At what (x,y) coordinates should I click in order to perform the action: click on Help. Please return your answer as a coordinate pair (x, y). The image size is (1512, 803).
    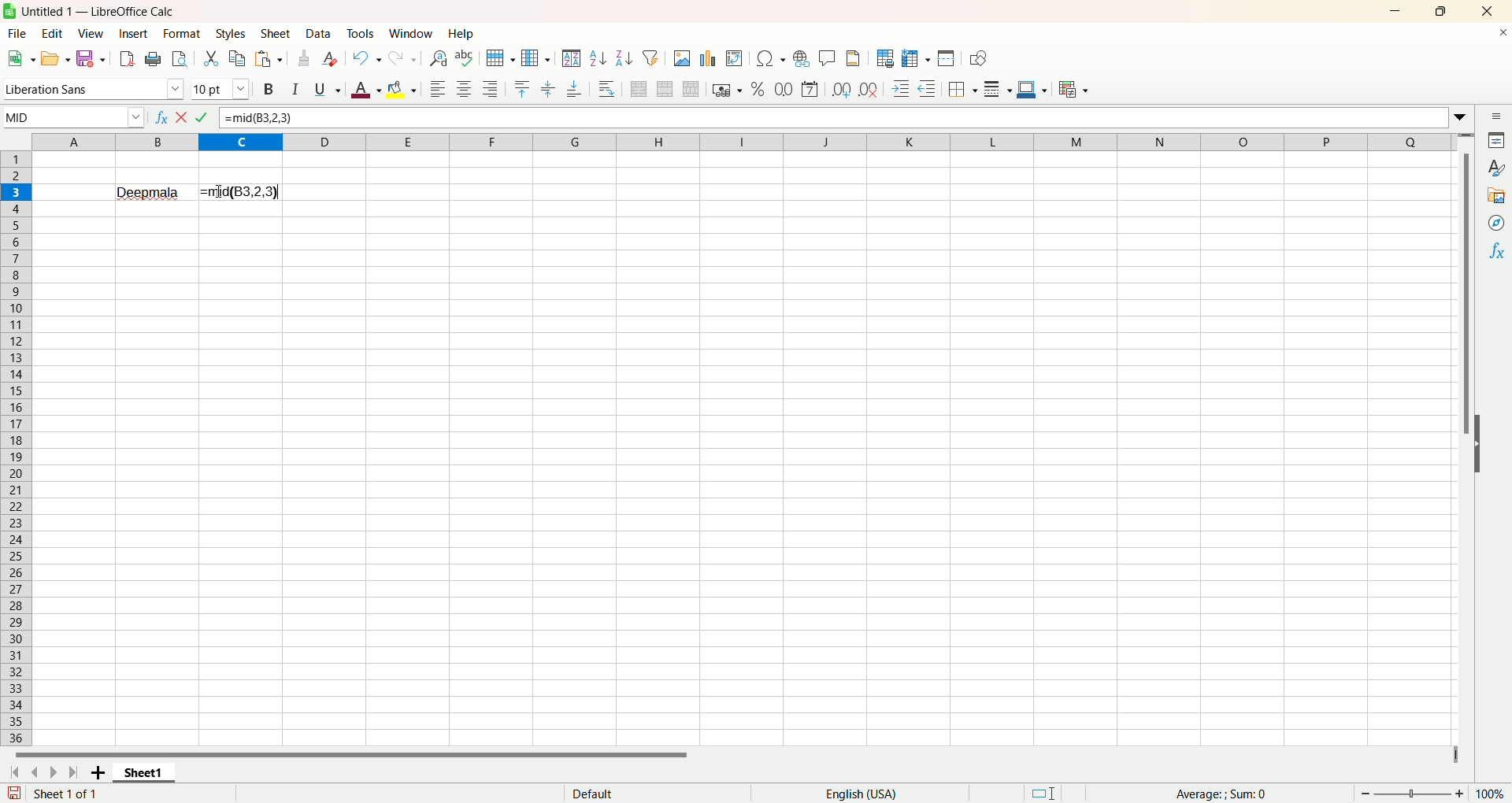
    Looking at the image, I should click on (464, 33).